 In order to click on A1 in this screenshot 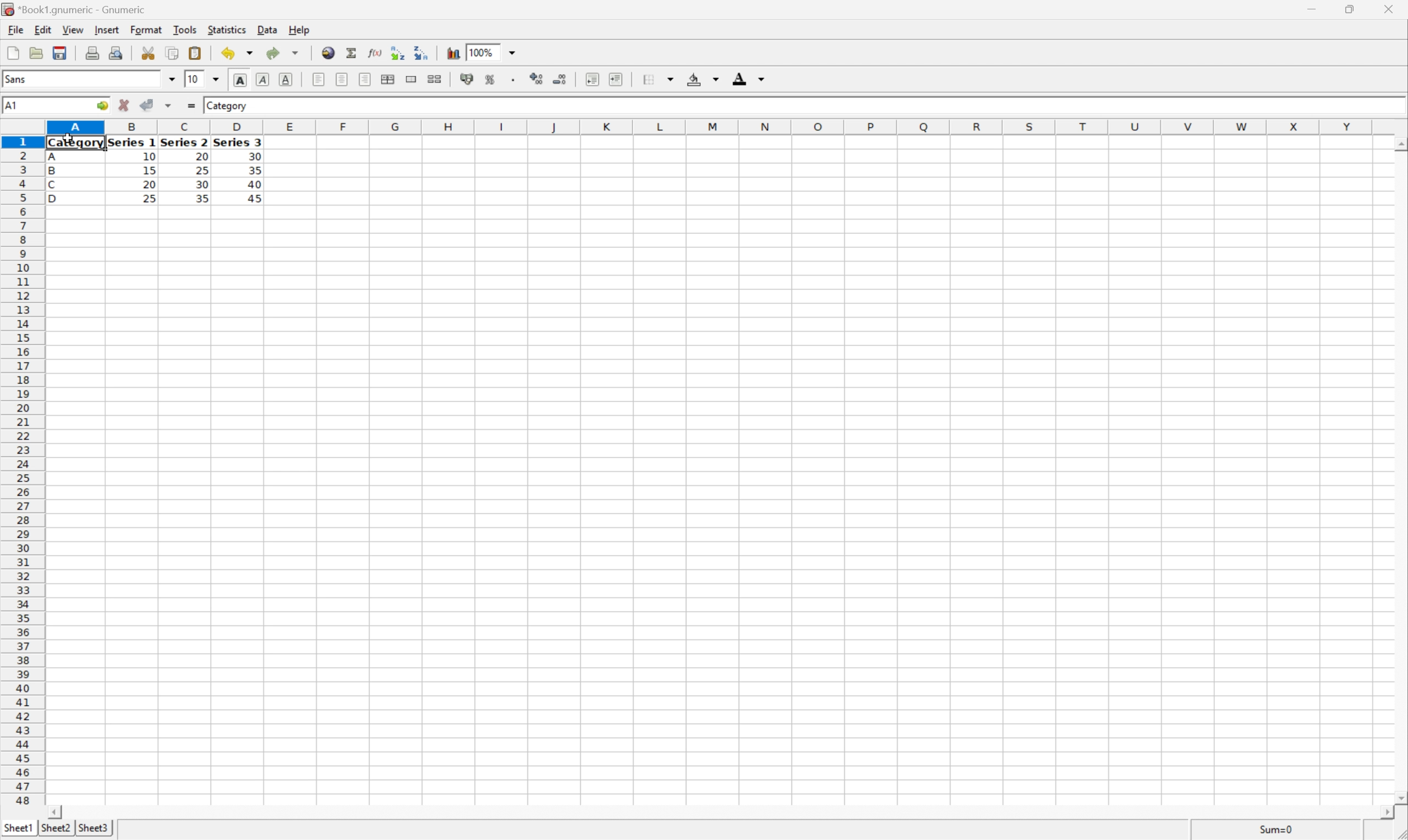, I will do `click(11, 106)`.